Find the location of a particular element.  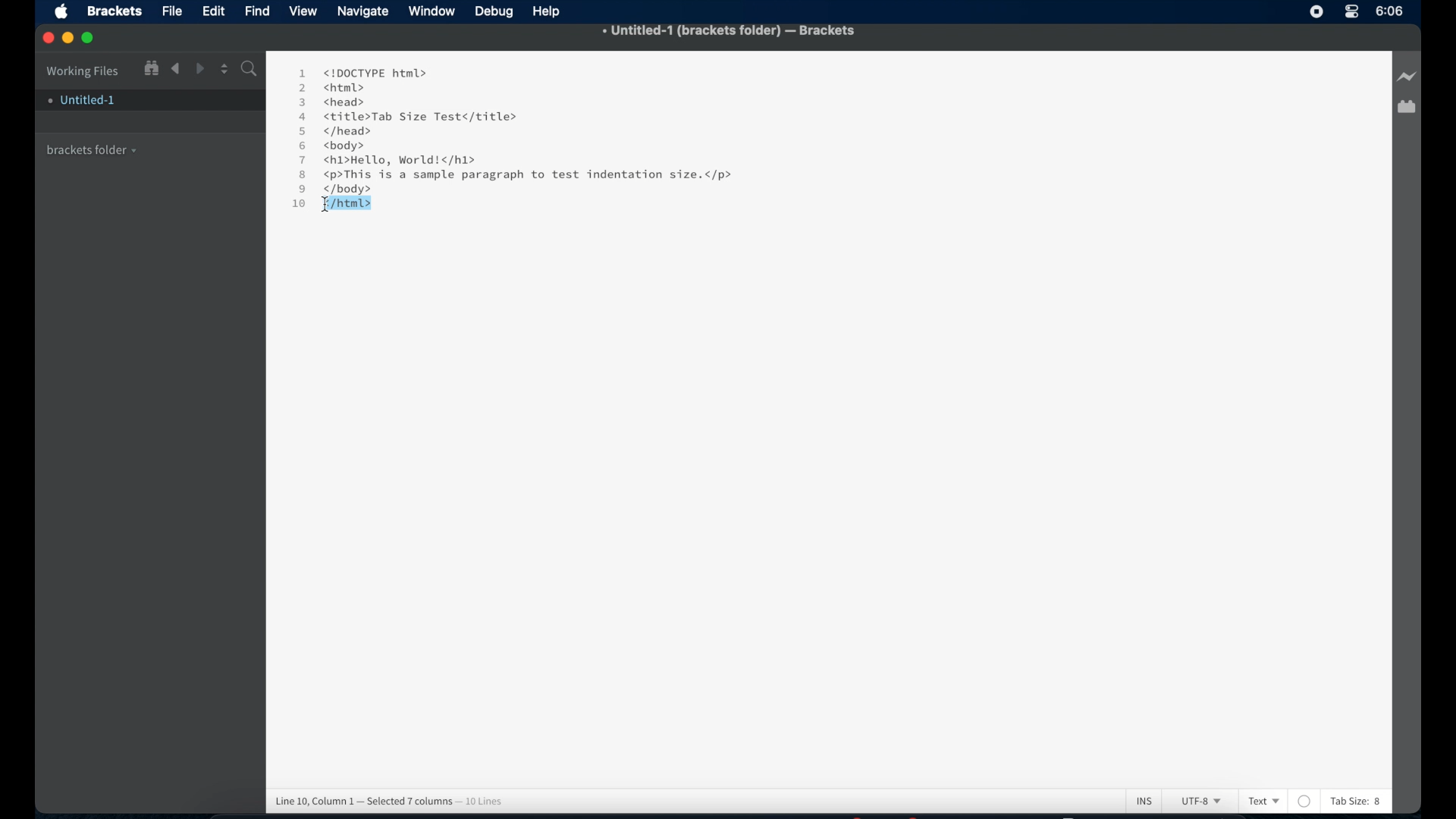

Close is located at coordinates (49, 39).